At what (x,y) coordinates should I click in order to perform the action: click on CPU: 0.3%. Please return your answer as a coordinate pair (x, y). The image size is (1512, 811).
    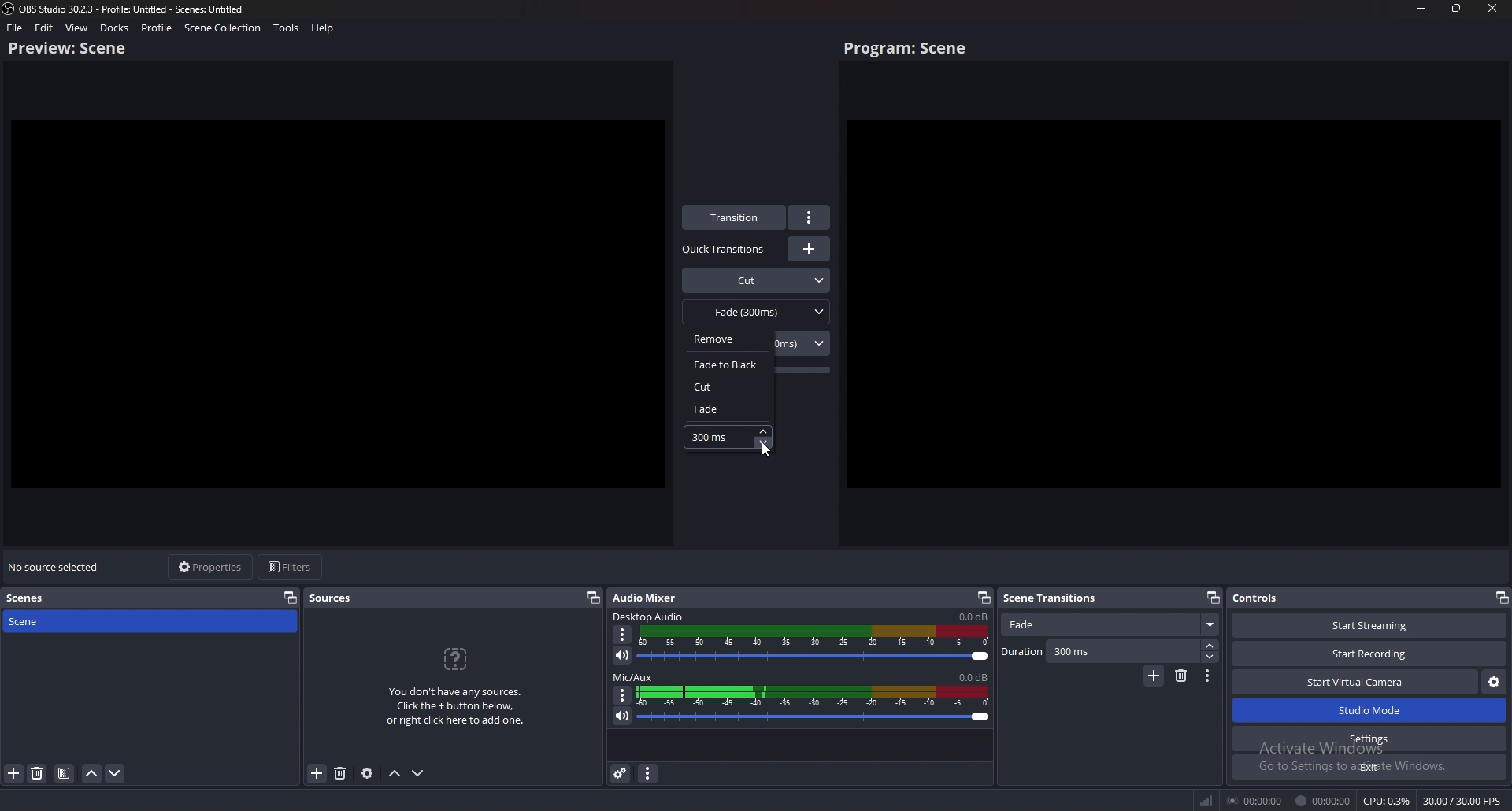
    Looking at the image, I should click on (1388, 801).